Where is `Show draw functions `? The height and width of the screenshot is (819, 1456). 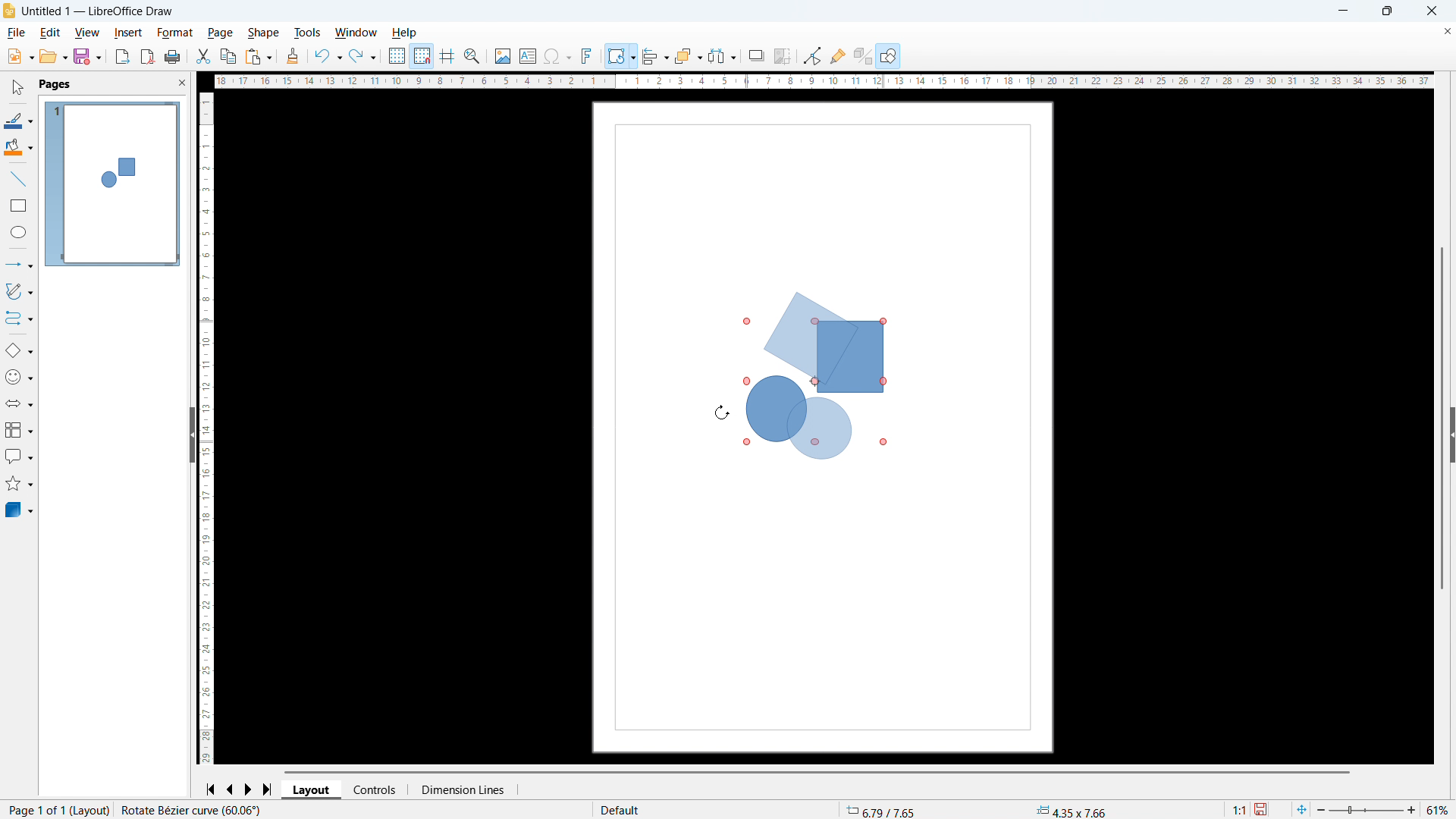
Show draw functions  is located at coordinates (889, 55).